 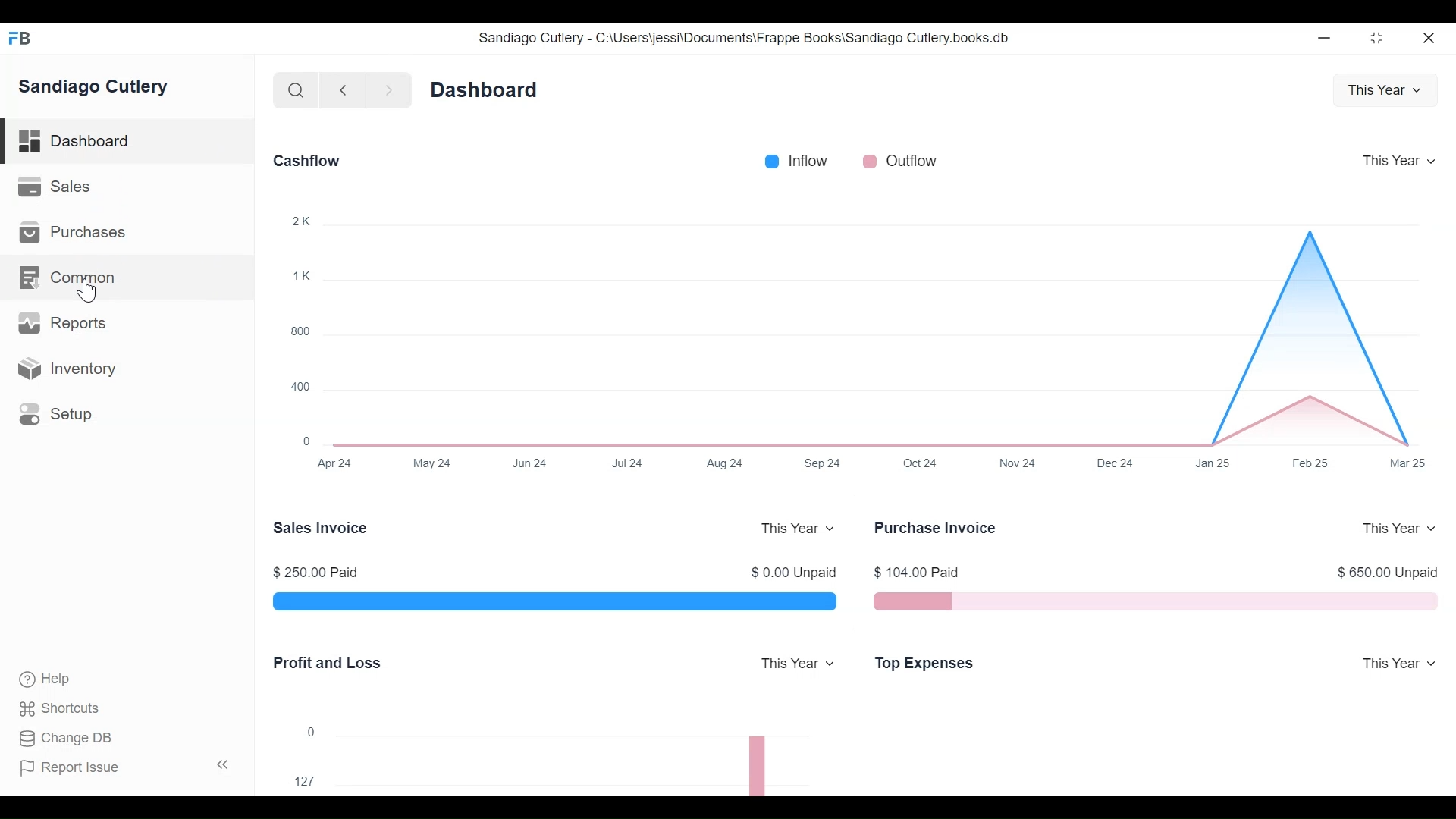 I want to click on Change DB, so click(x=59, y=739).